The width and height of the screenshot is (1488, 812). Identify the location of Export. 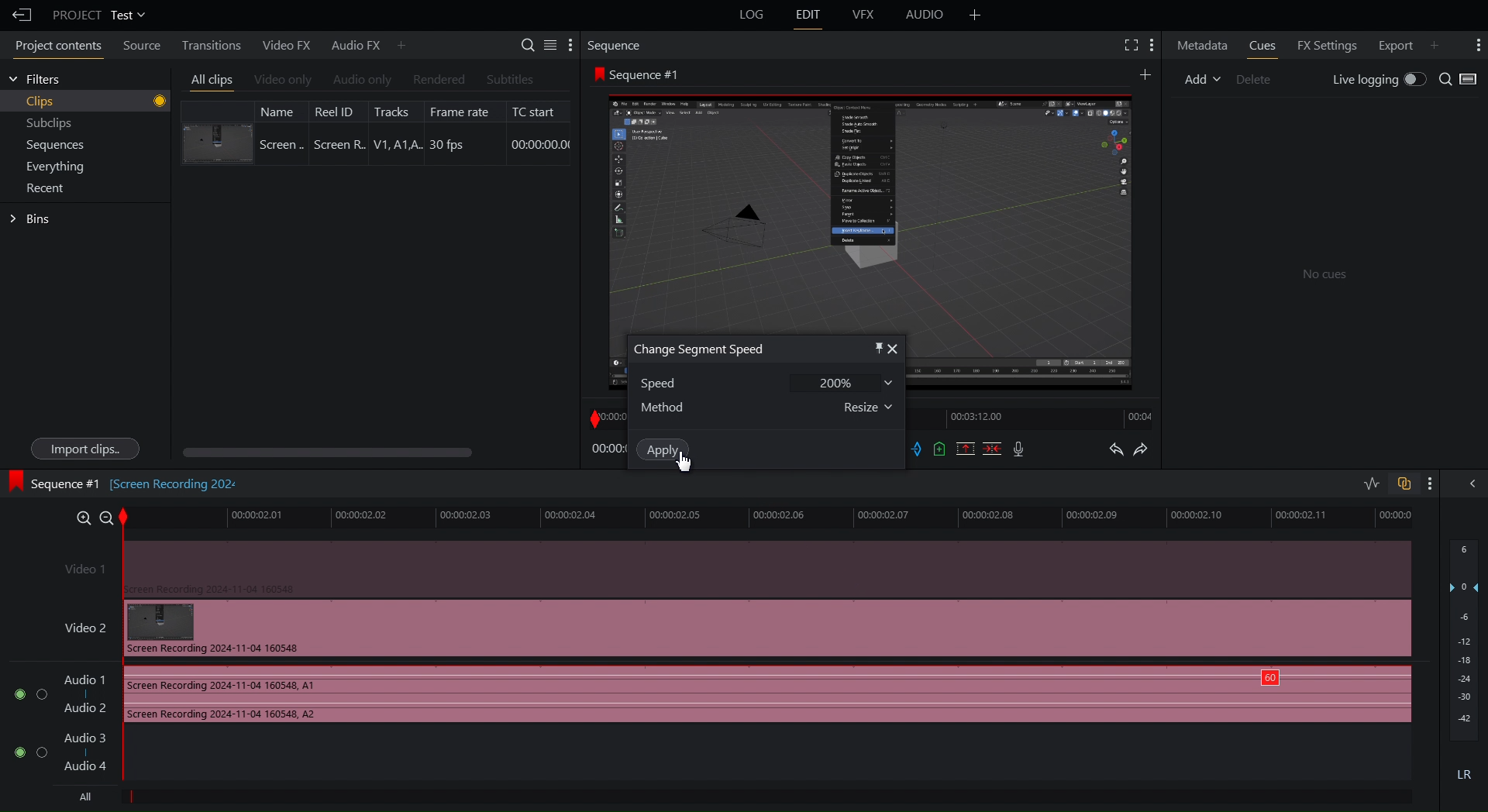
(1392, 43).